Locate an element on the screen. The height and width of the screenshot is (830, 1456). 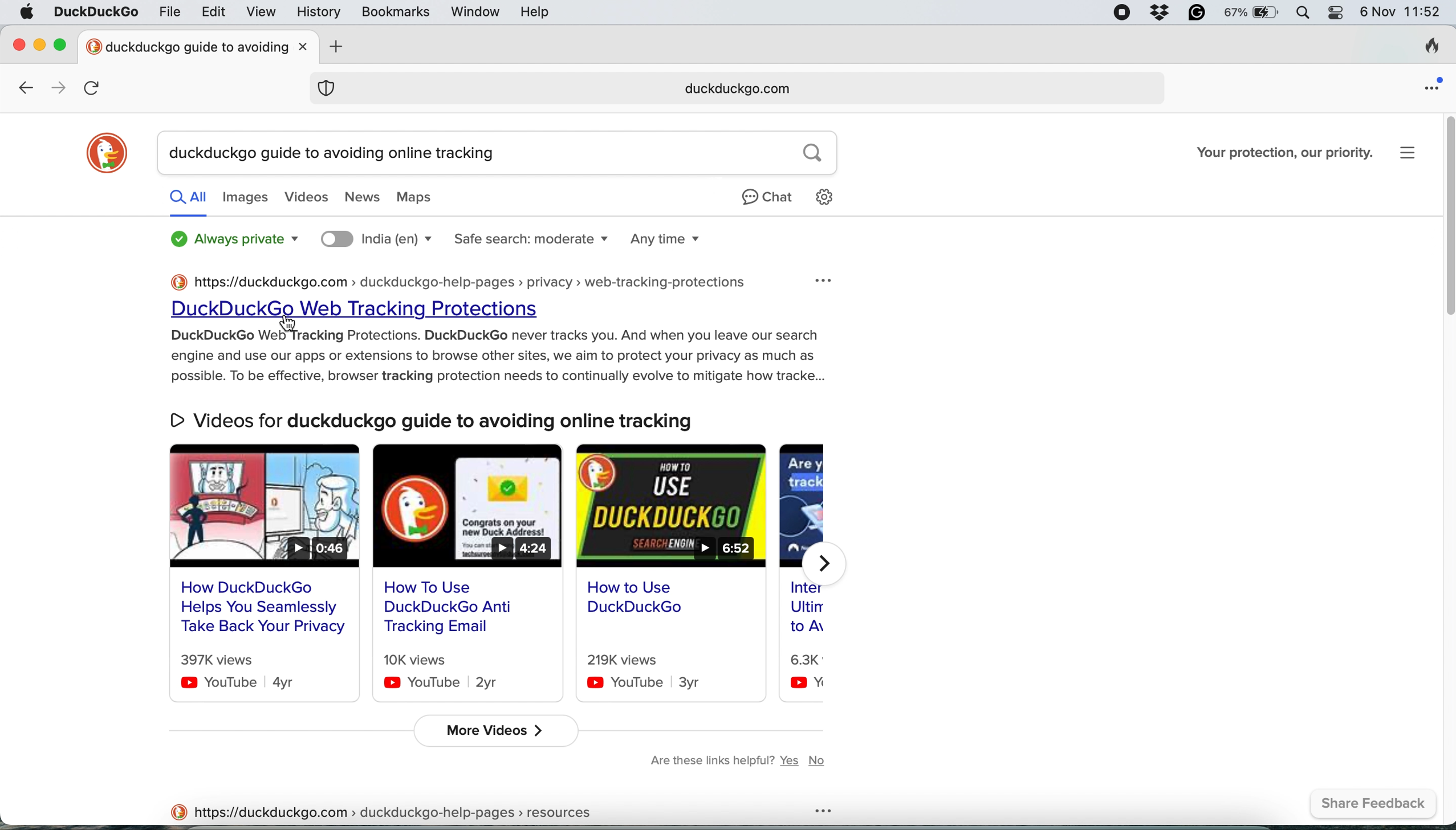
219k views is located at coordinates (627, 658).